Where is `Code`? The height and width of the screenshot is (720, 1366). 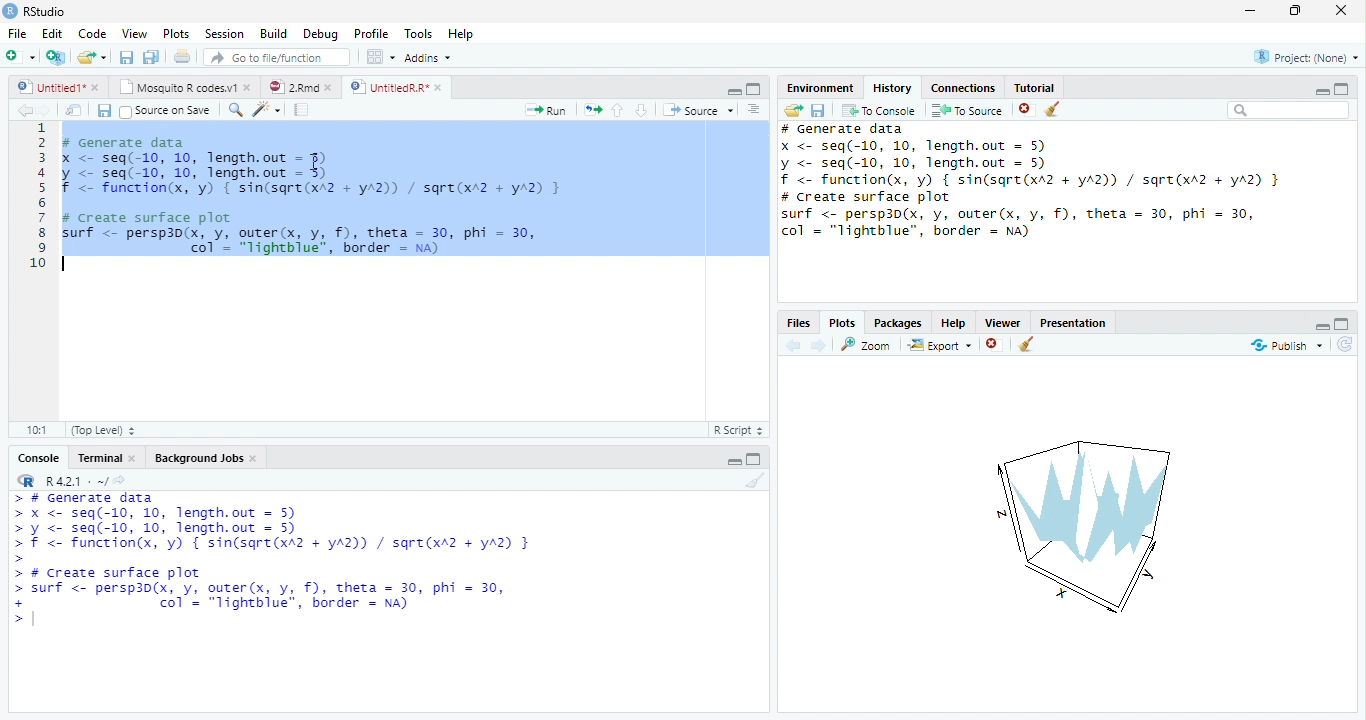 Code is located at coordinates (91, 33).